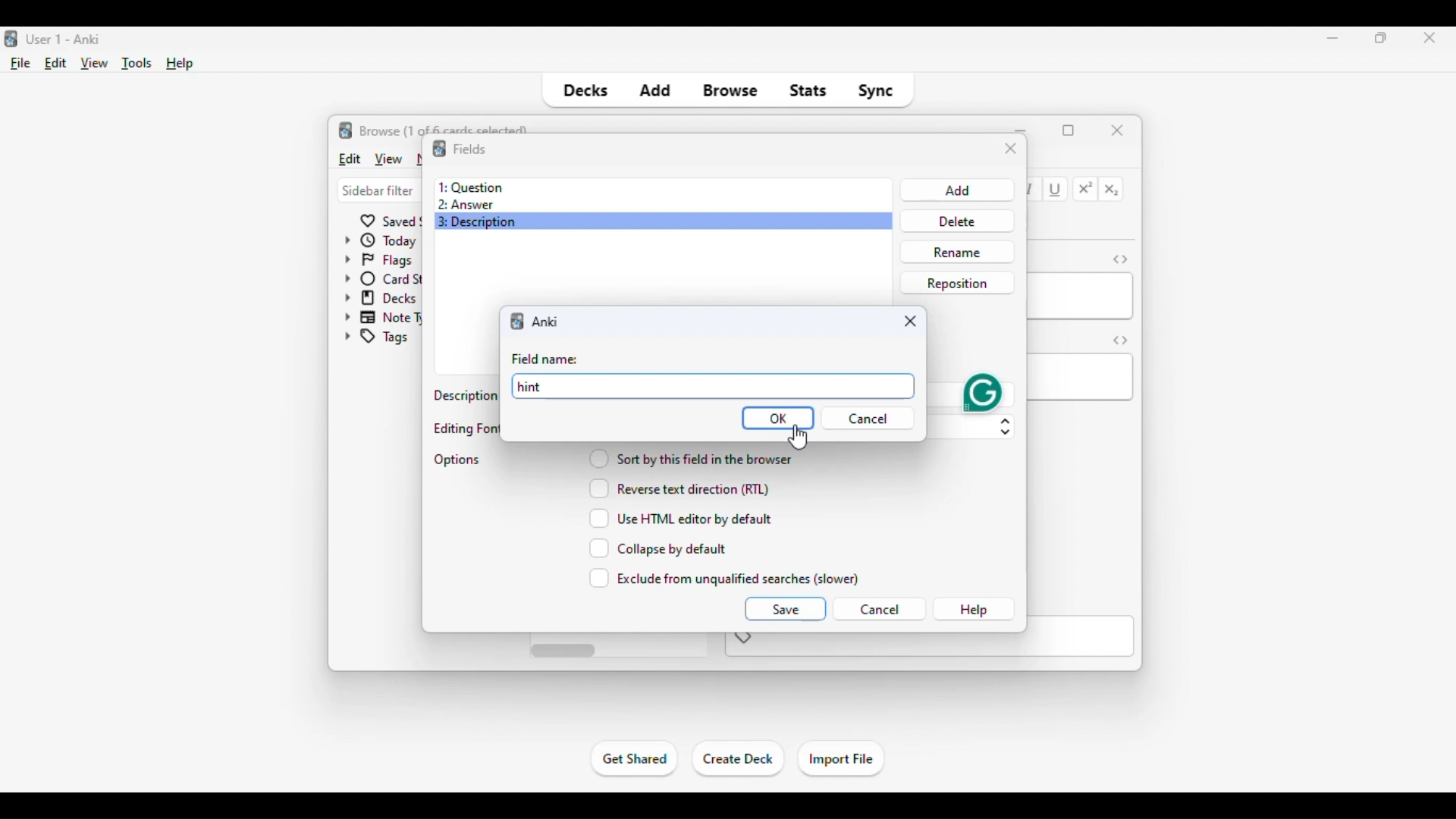 The width and height of the screenshot is (1456, 819). Describe the element at coordinates (654, 91) in the screenshot. I see `add` at that location.